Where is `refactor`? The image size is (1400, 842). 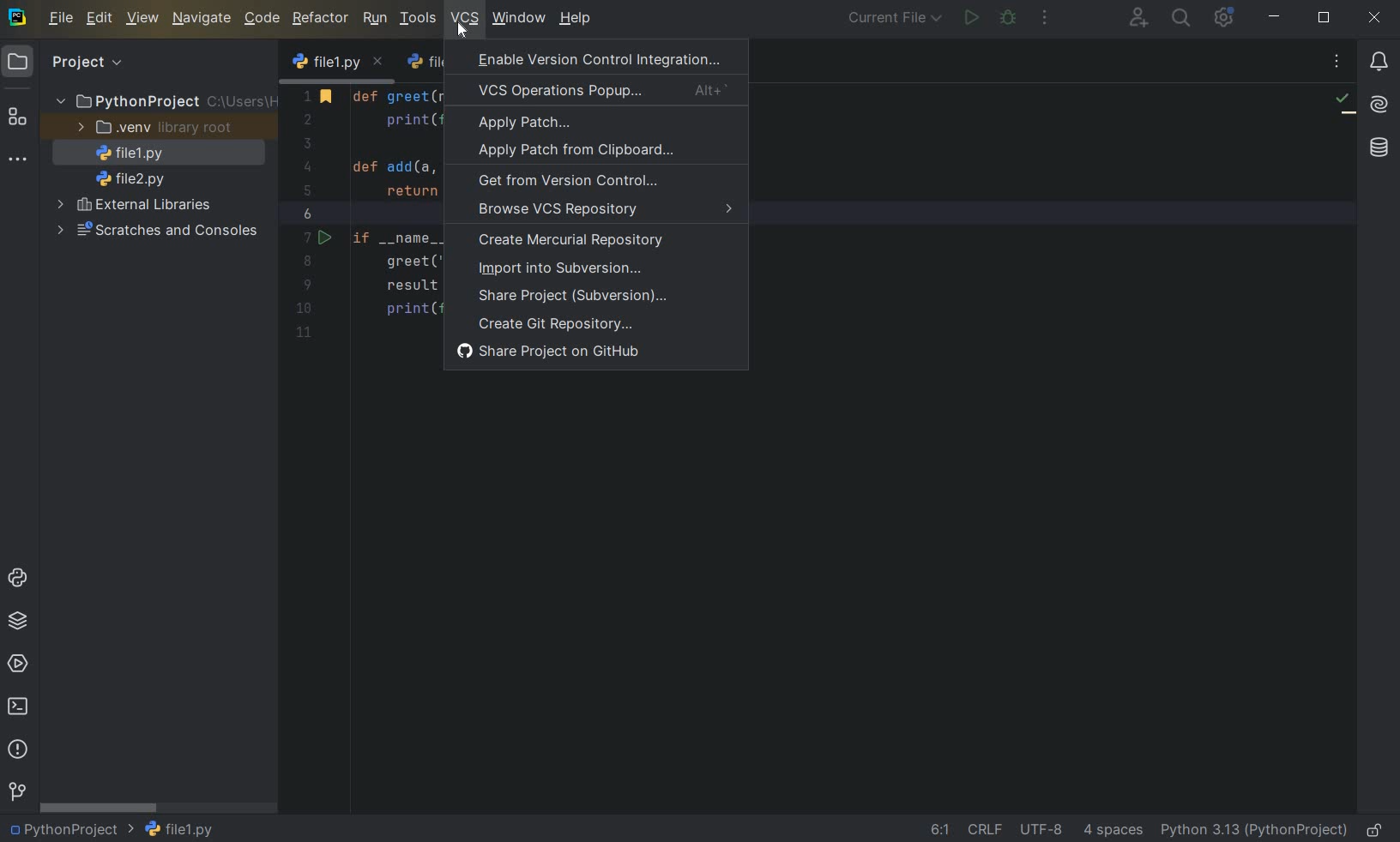
refactor is located at coordinates (321, 19).